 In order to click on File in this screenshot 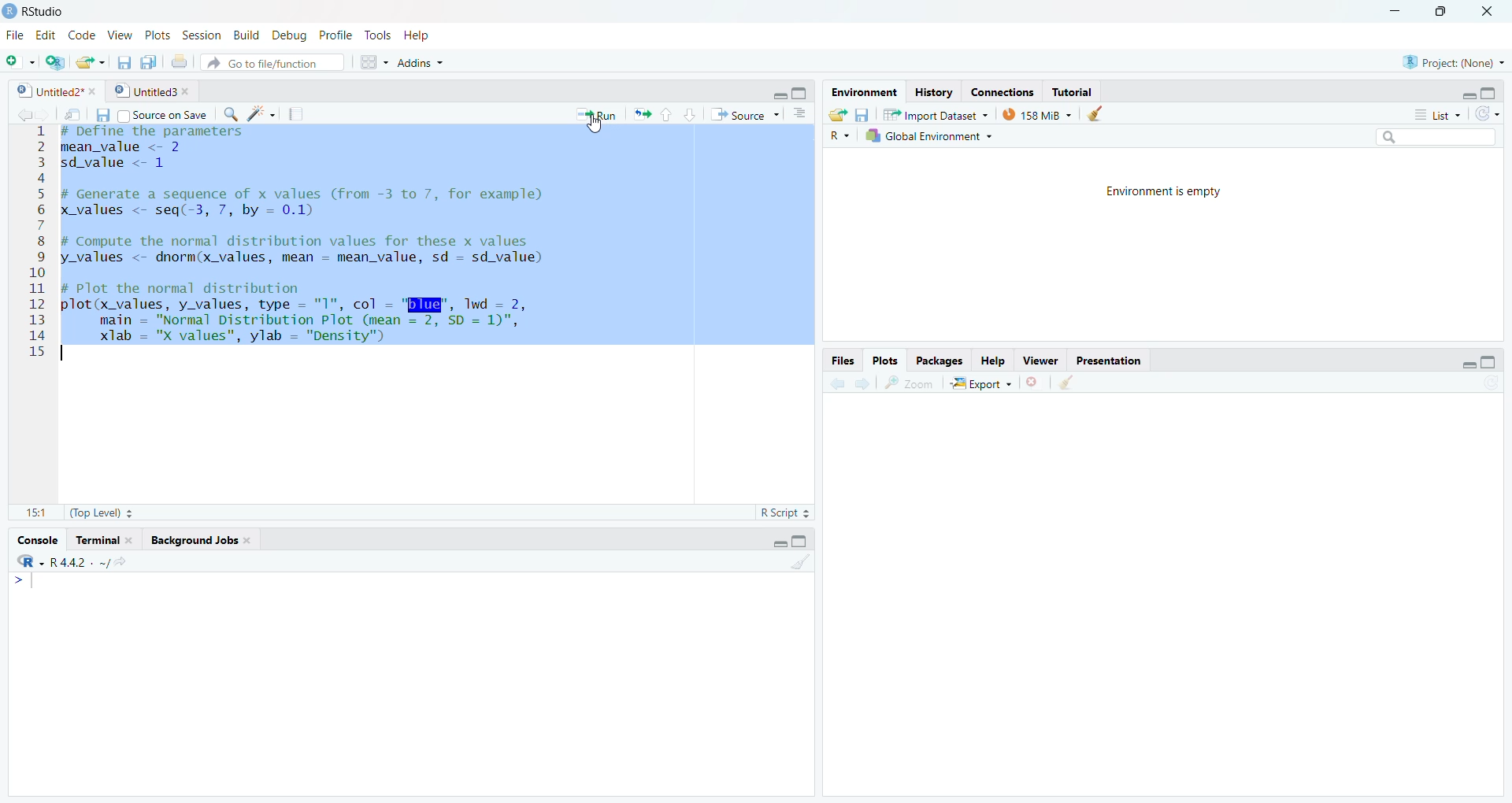, I will do `click(13, 35)`.